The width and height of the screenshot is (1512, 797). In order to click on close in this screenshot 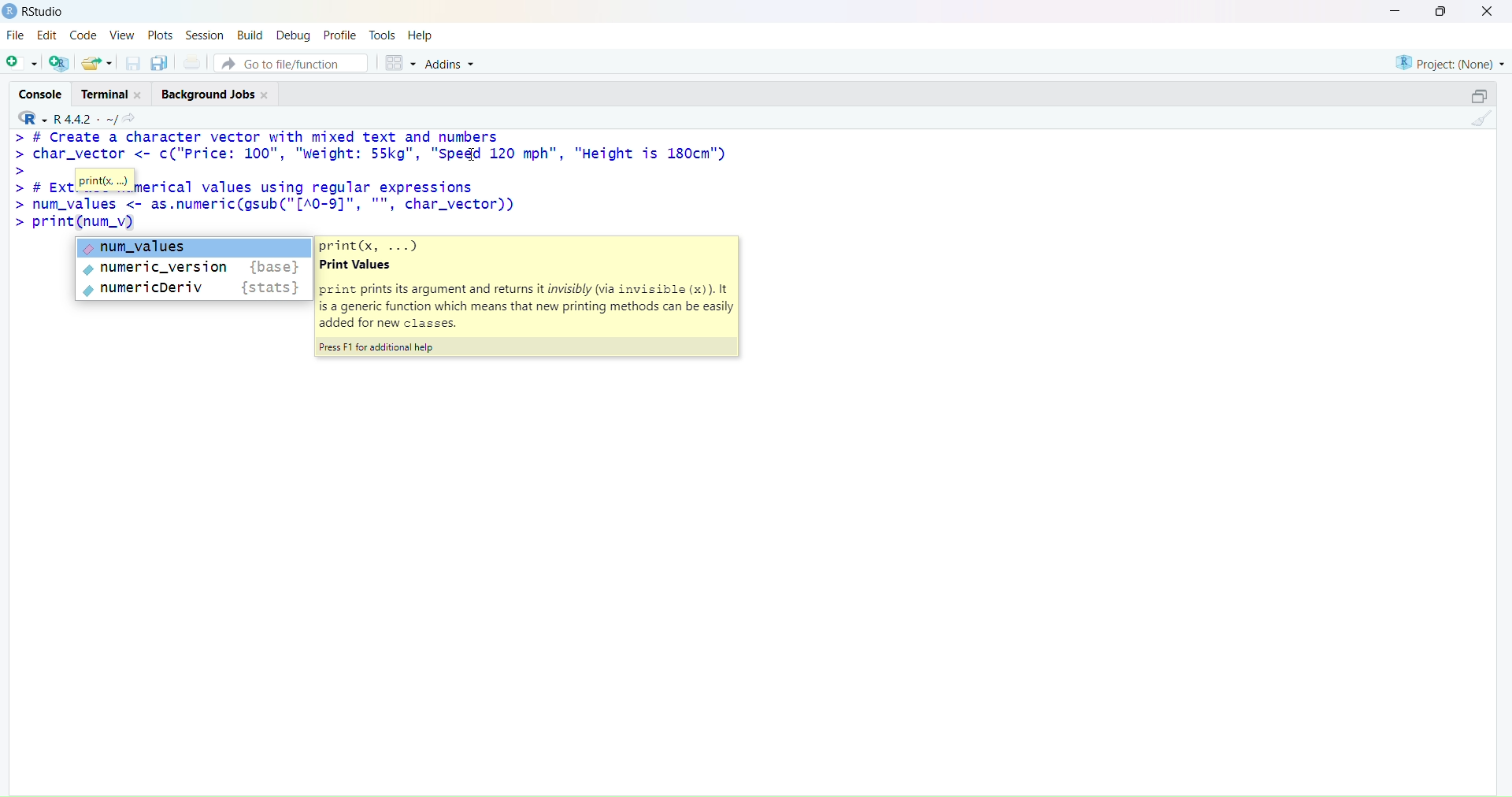, I will do `click(1488, 11)`.